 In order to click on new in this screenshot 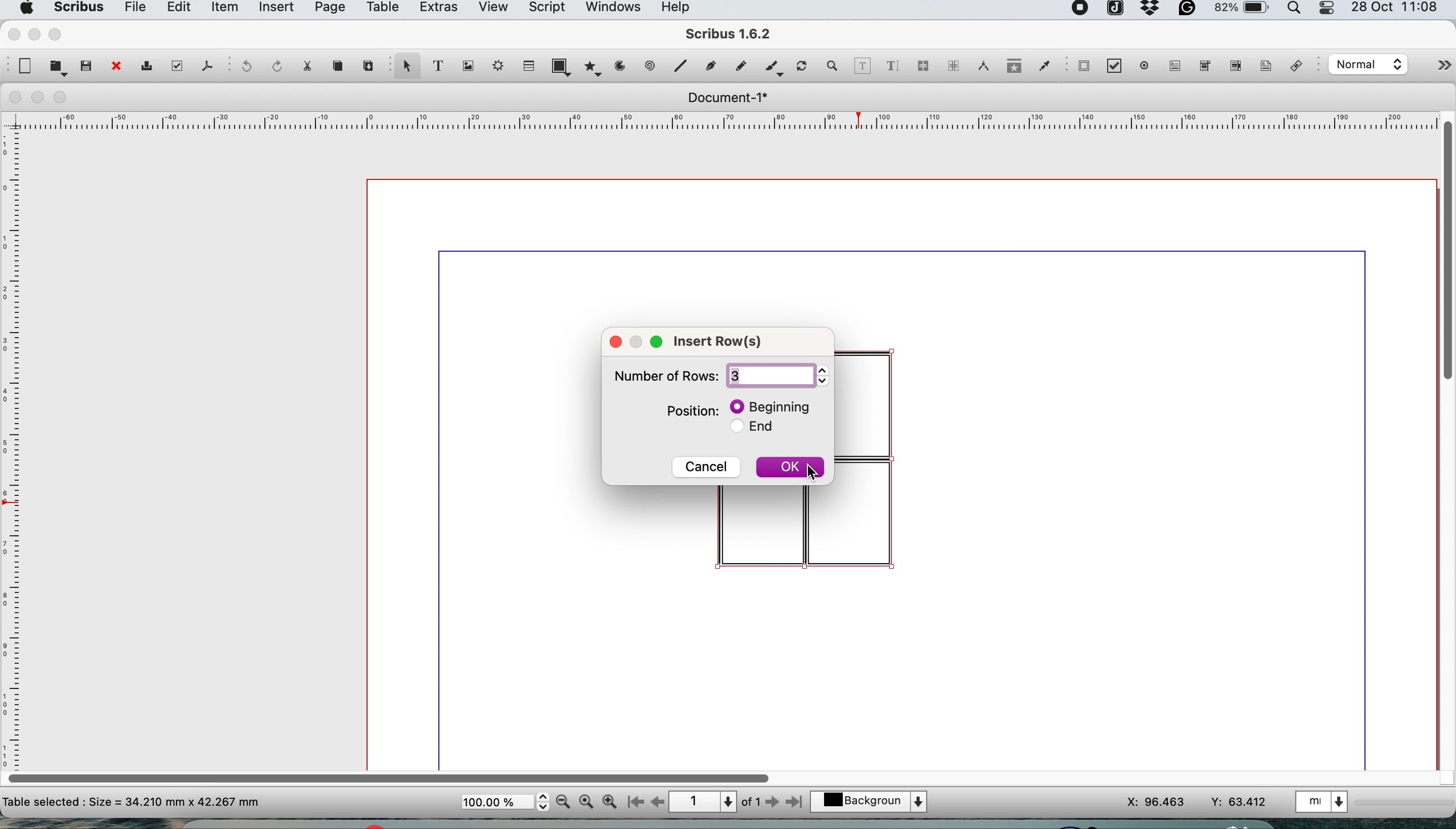, I will do `click(23, 66)`.